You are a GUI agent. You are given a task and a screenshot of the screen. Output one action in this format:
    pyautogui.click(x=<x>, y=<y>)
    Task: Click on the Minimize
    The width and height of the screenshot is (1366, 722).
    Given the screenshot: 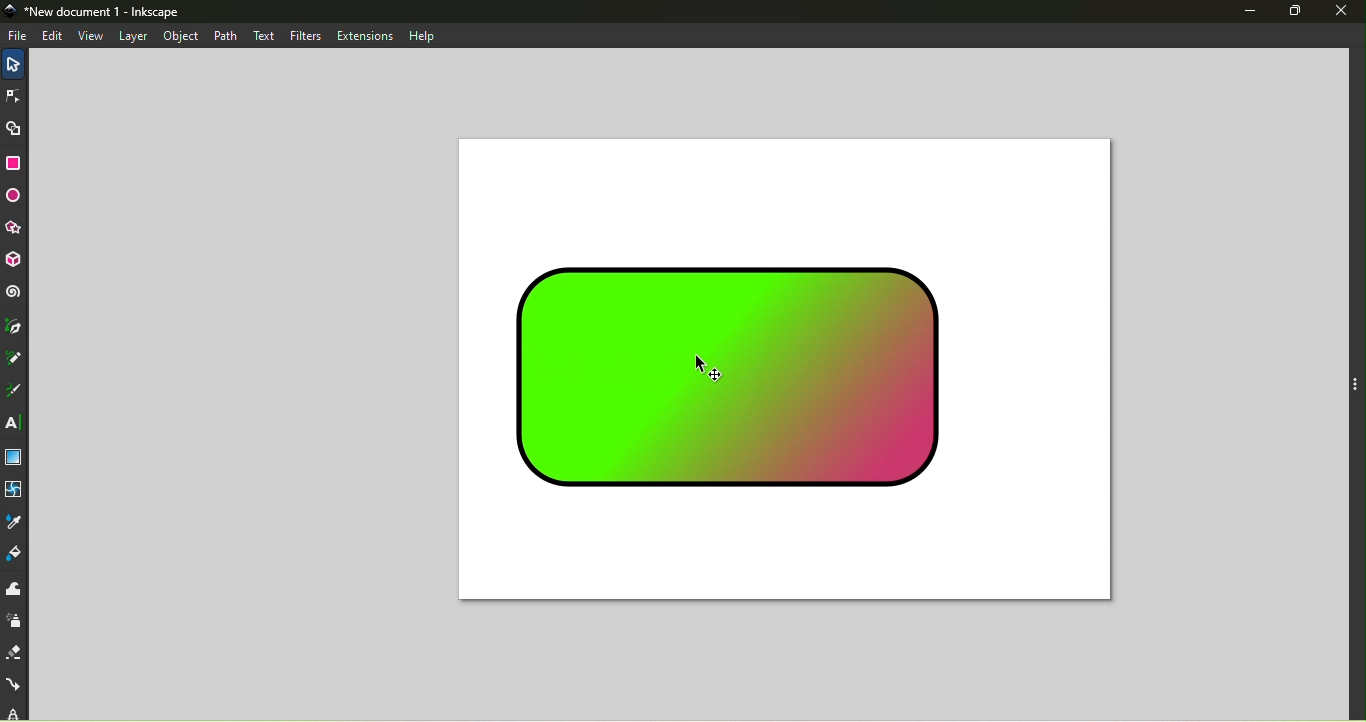 What is the action you would take?
    pyautogui.click(x=1248, y=12)
    